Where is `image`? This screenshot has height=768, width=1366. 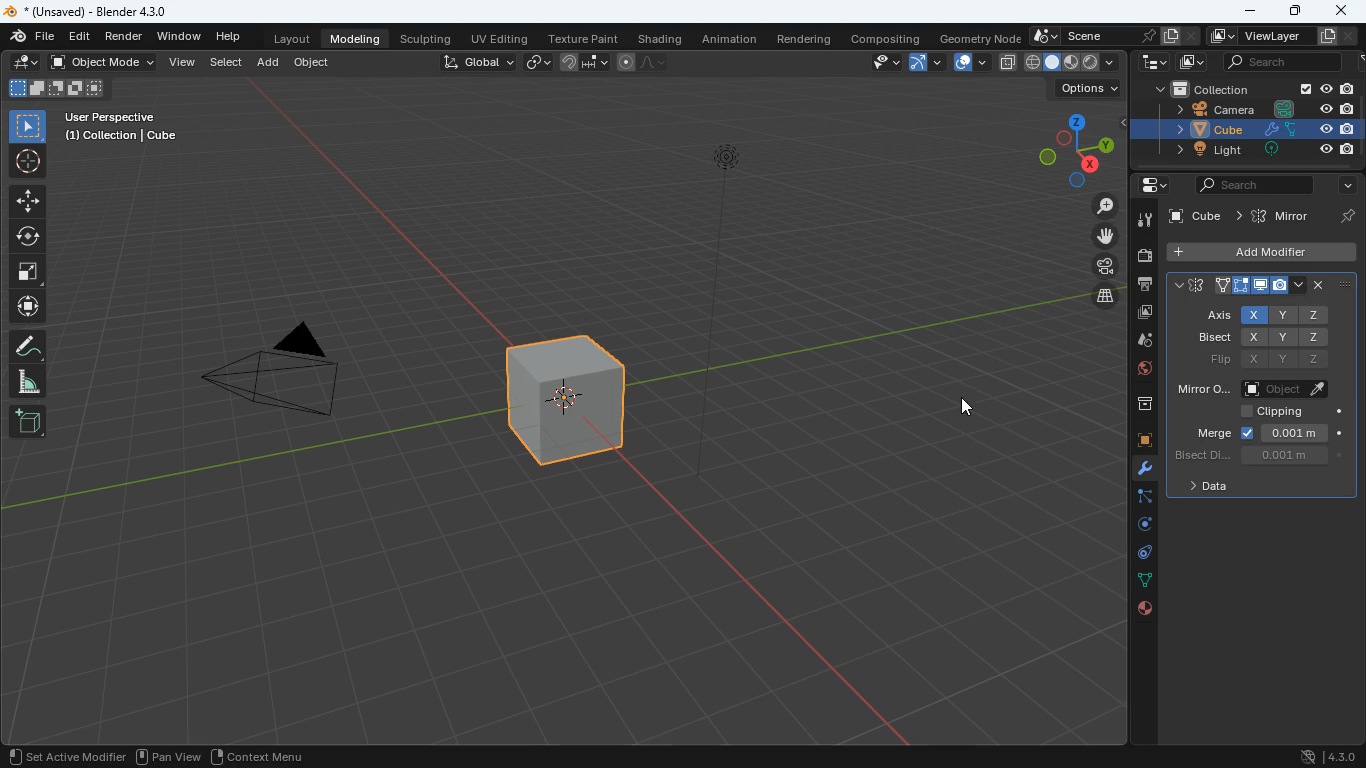
image is located at coordinates (1192, 63).